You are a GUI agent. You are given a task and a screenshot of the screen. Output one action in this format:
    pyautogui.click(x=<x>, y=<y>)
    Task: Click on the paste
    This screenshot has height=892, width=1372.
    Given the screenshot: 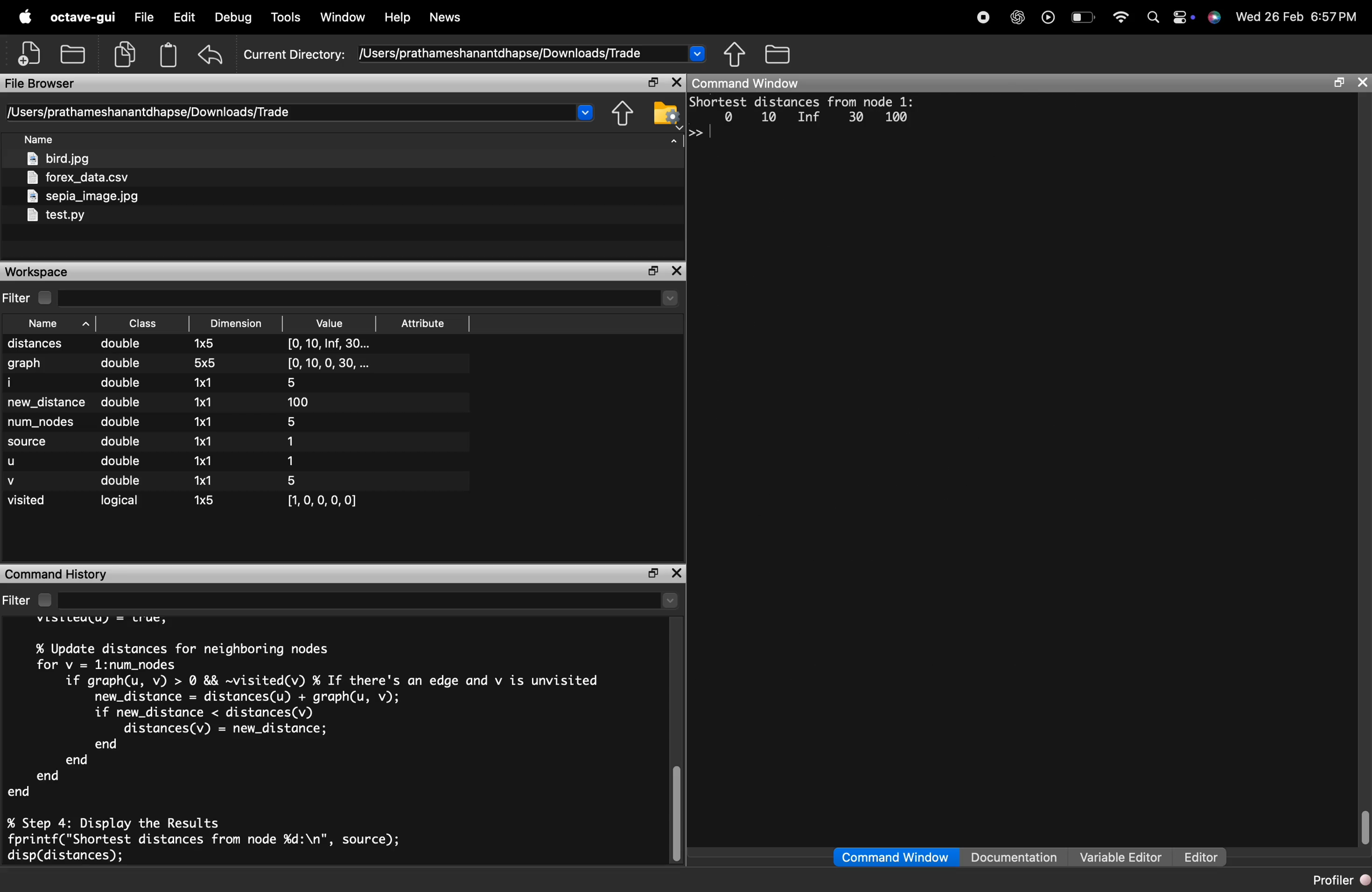 What is the action you would take?
    pyautogui.click(x=168, y=54)
    